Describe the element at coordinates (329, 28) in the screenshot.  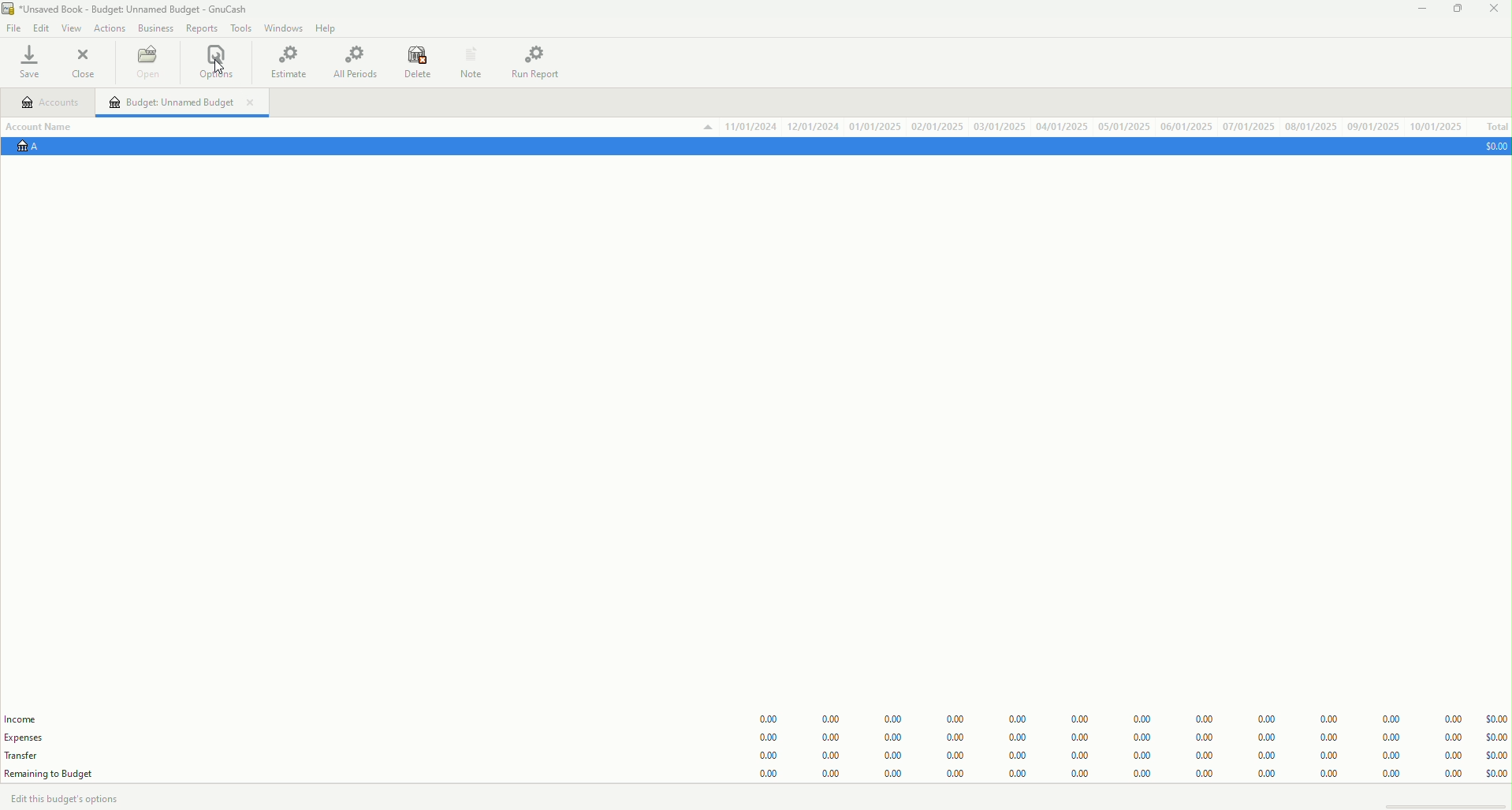
I see `Help` at that location.